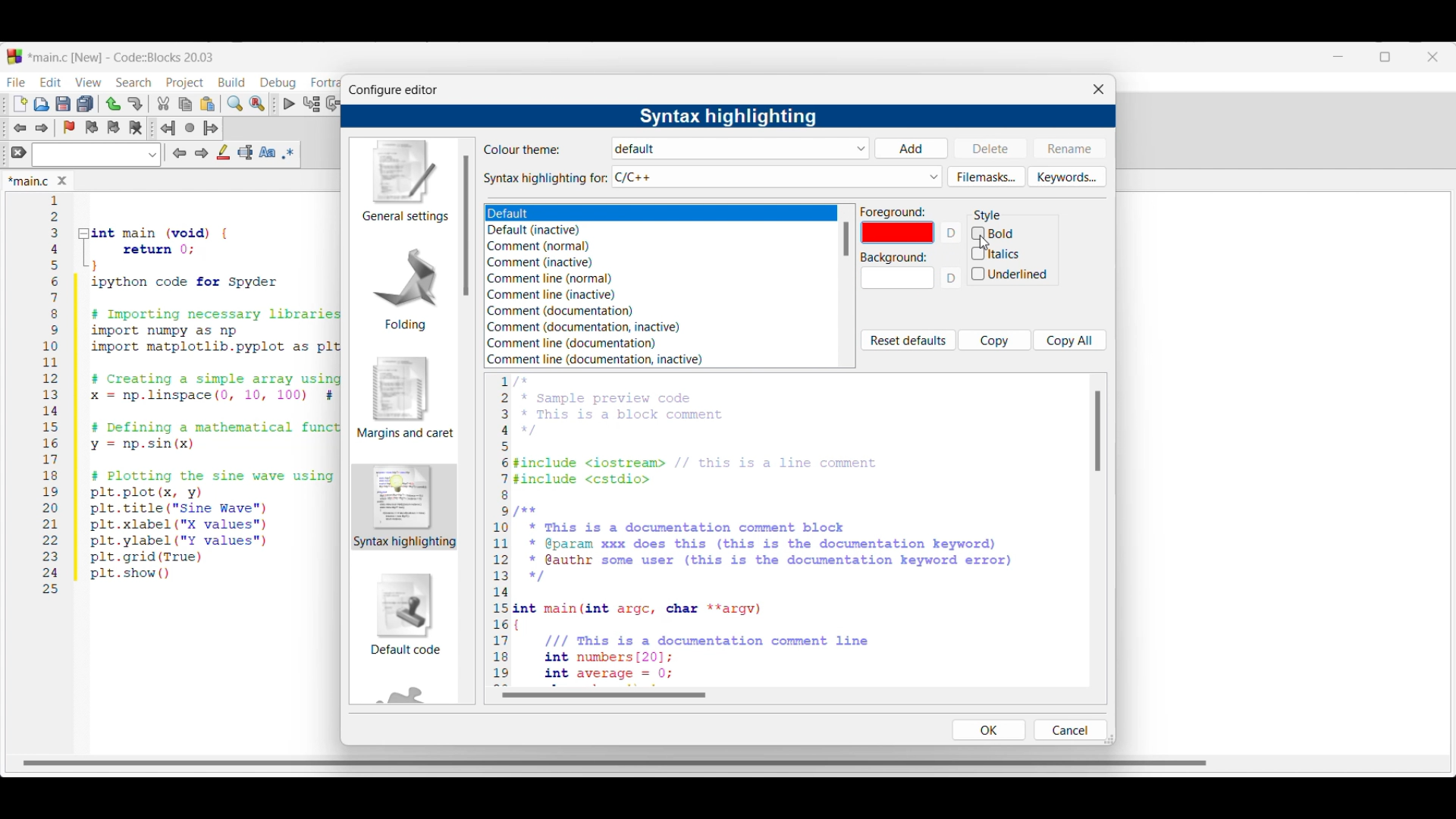  I want to click on Use regex, so click(288, 153).